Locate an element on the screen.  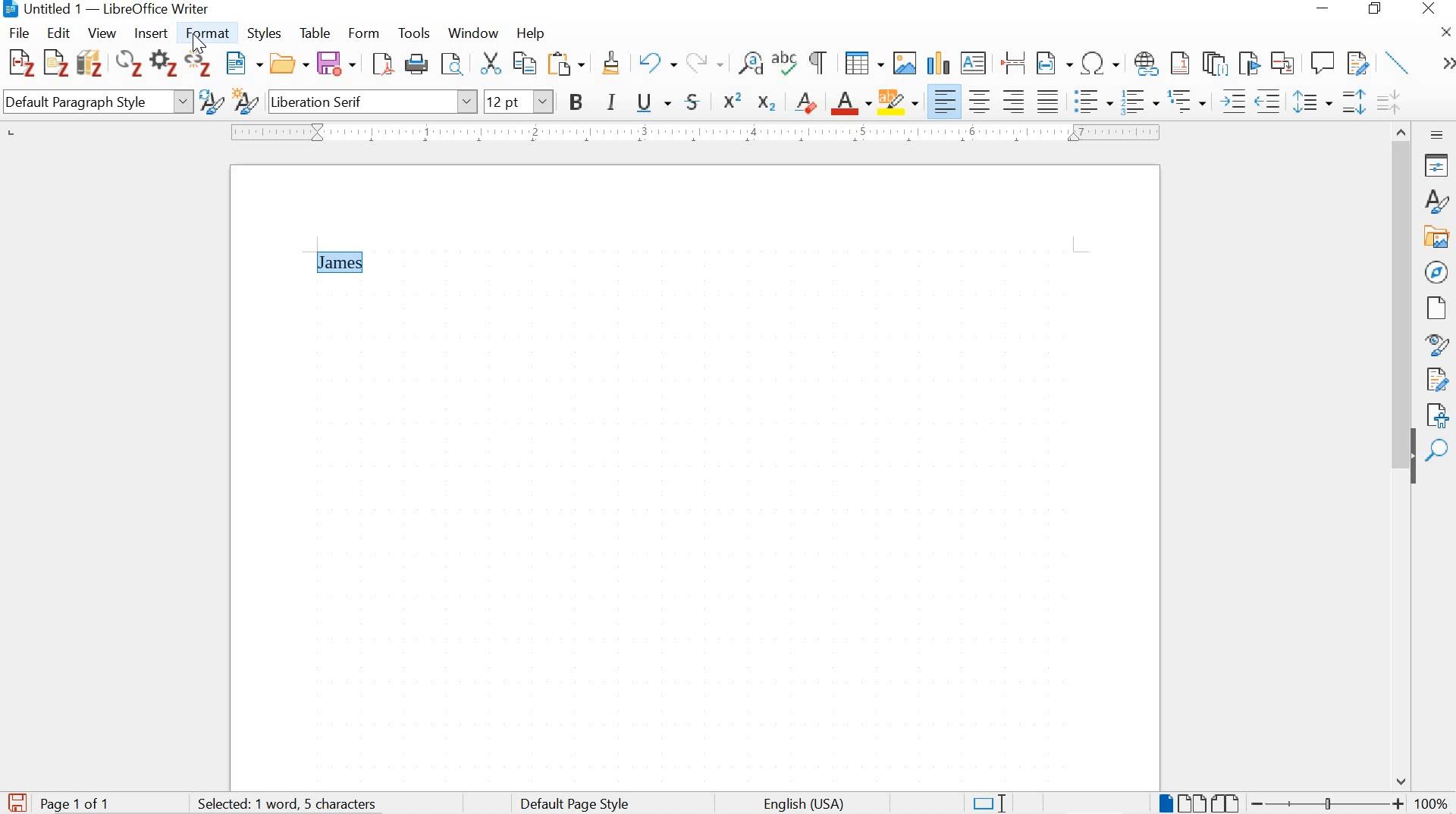
updated selected style is located at coordinates (210, 102).